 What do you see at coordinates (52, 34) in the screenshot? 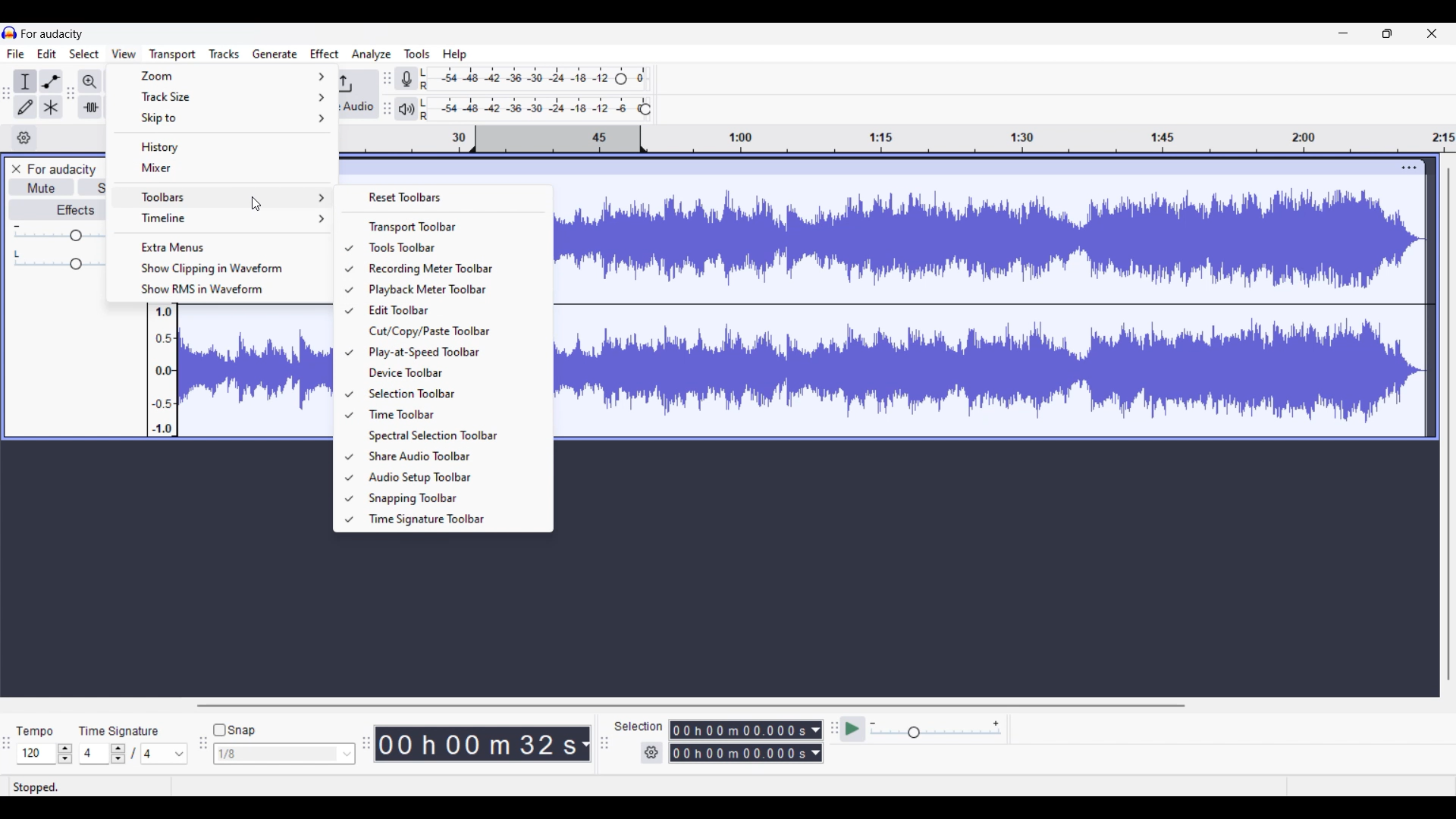
I see `For audacity` at bounding box center [52, 34].